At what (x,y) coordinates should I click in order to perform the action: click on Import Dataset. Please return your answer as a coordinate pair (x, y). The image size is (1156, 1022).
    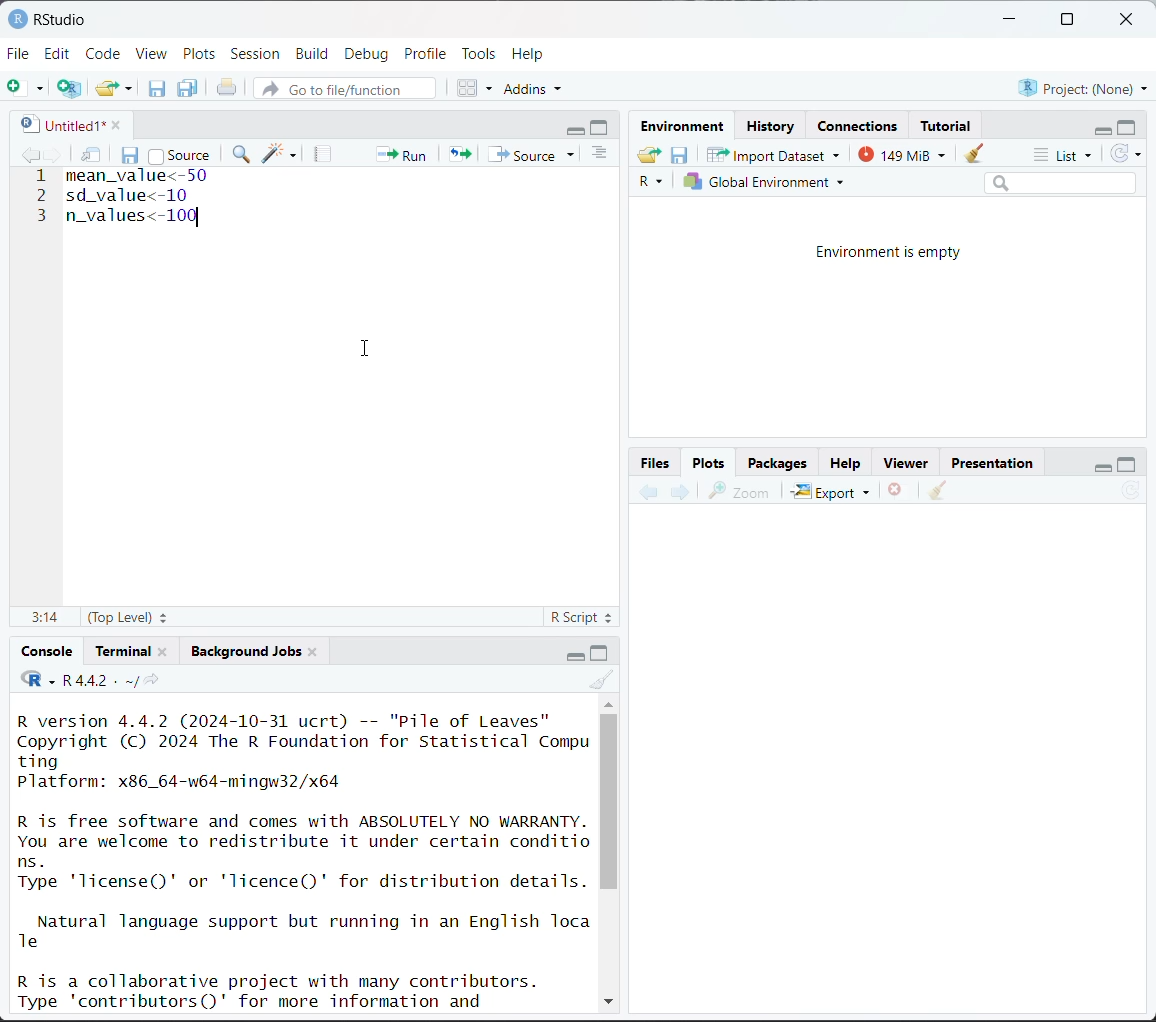
    Looking at the image, I should click on (774, 154).